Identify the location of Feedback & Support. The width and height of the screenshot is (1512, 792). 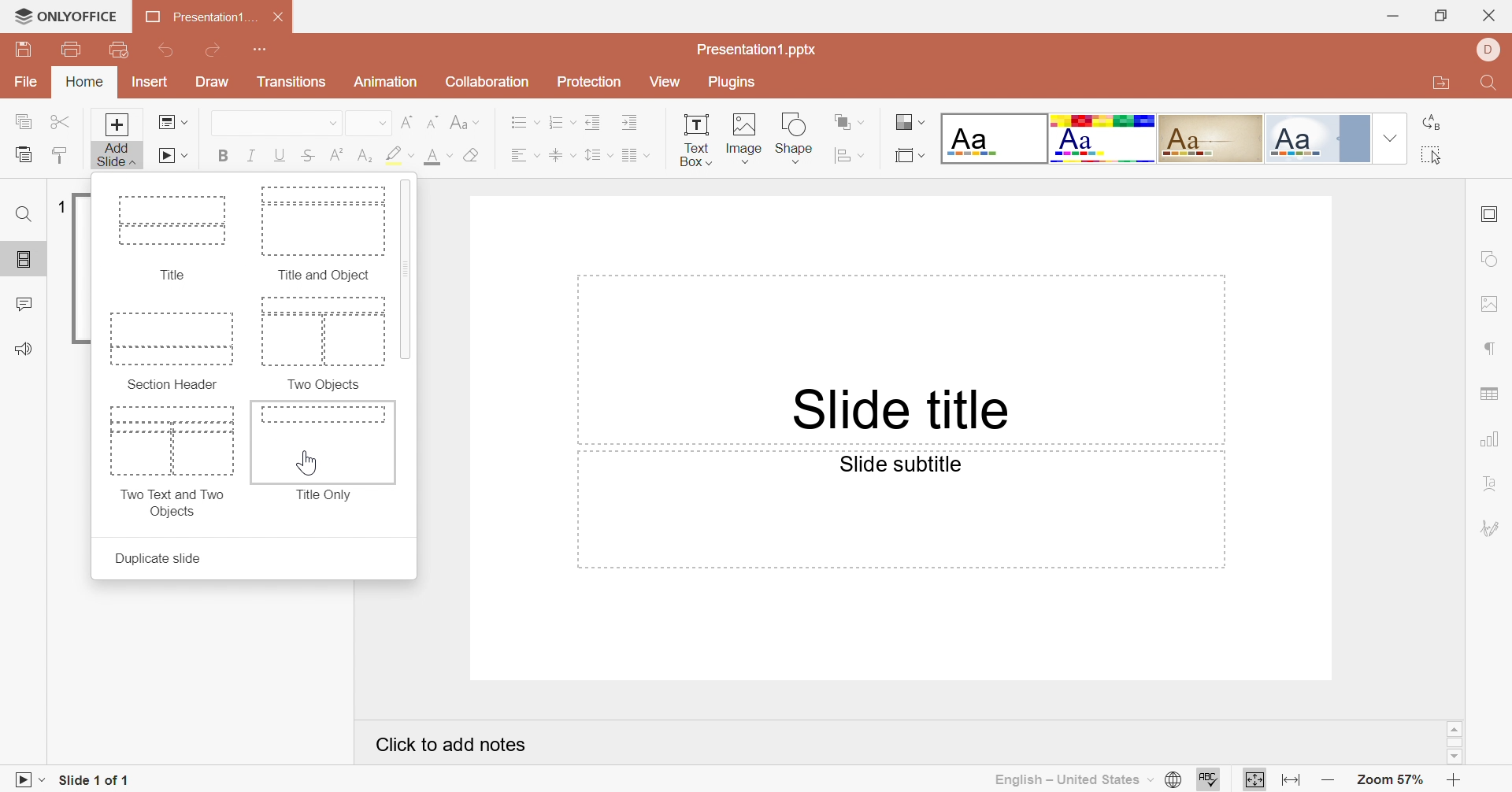
(26, 346).